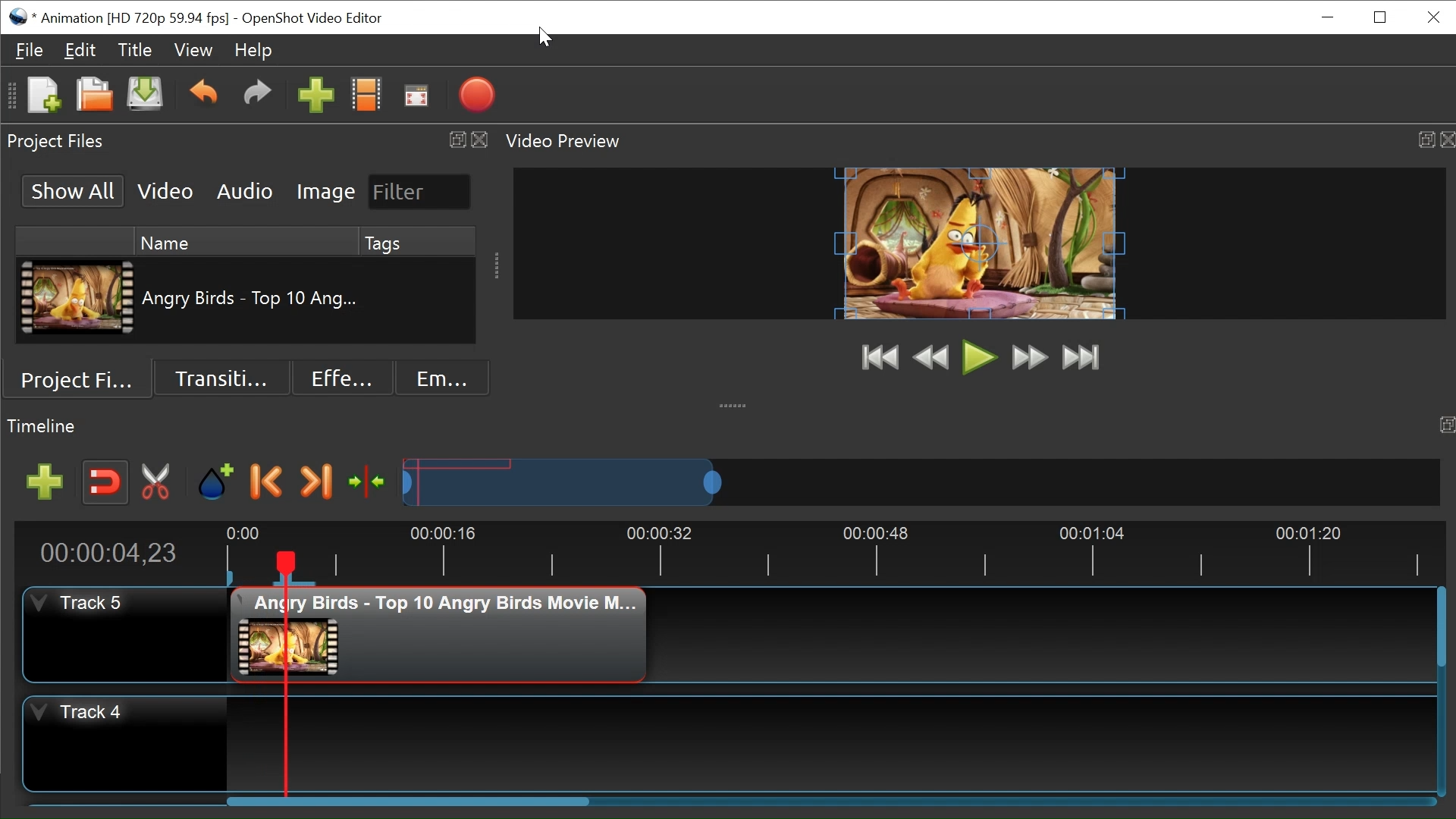 Image resolution: width=1456 pixels, height=819 pixels. Describe the element at coordinates (1382, 17) in the screenshot. I see `Restore` at that location.